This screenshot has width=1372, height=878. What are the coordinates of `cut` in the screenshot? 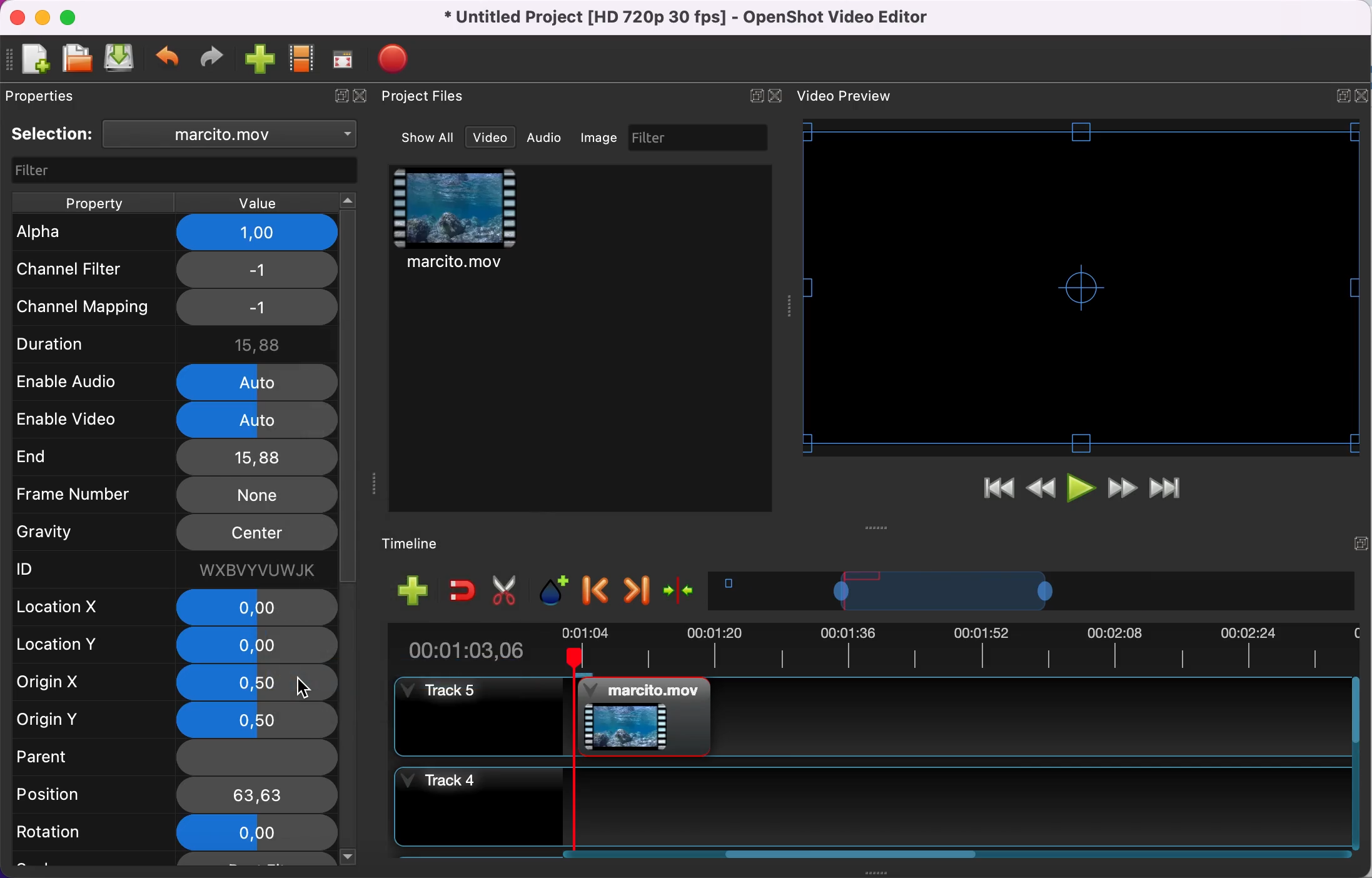 It's located at (505, 591).